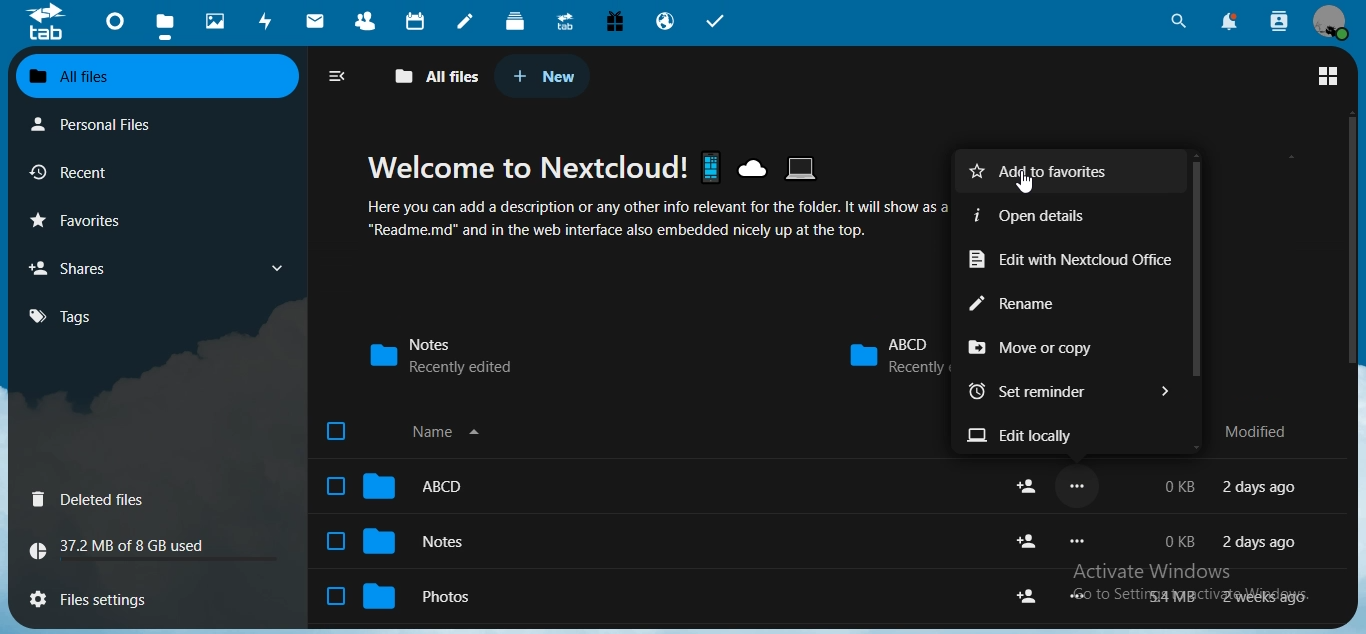 Image resolution: width=1366 pixels, height=634 pixels. I want to click on tags, so click(65, 316).